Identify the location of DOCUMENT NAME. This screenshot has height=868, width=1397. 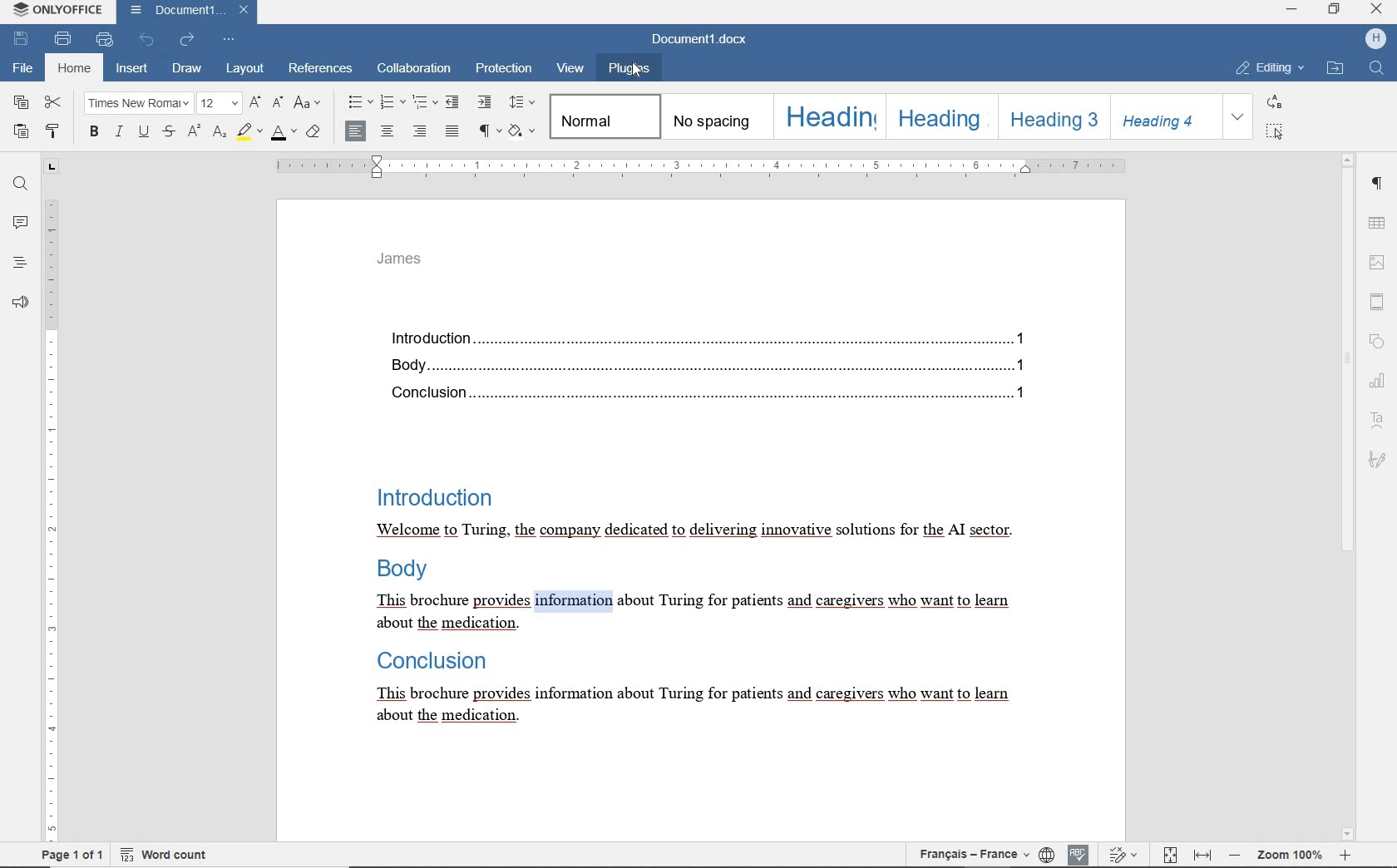
(706, 40).